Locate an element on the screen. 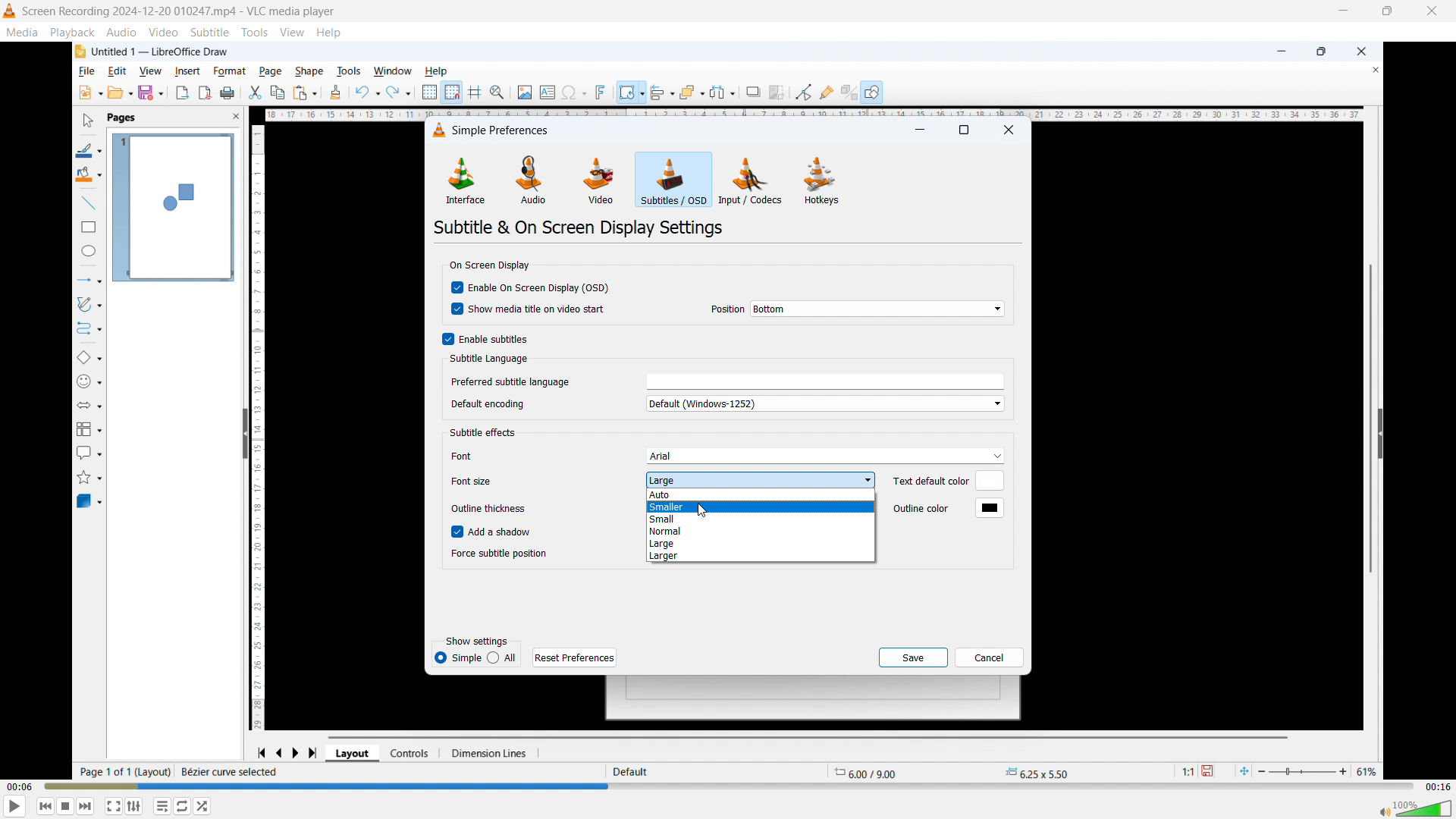 This screenshot has width=1456, height=819. Interface  is located at coordinates (466, 180).